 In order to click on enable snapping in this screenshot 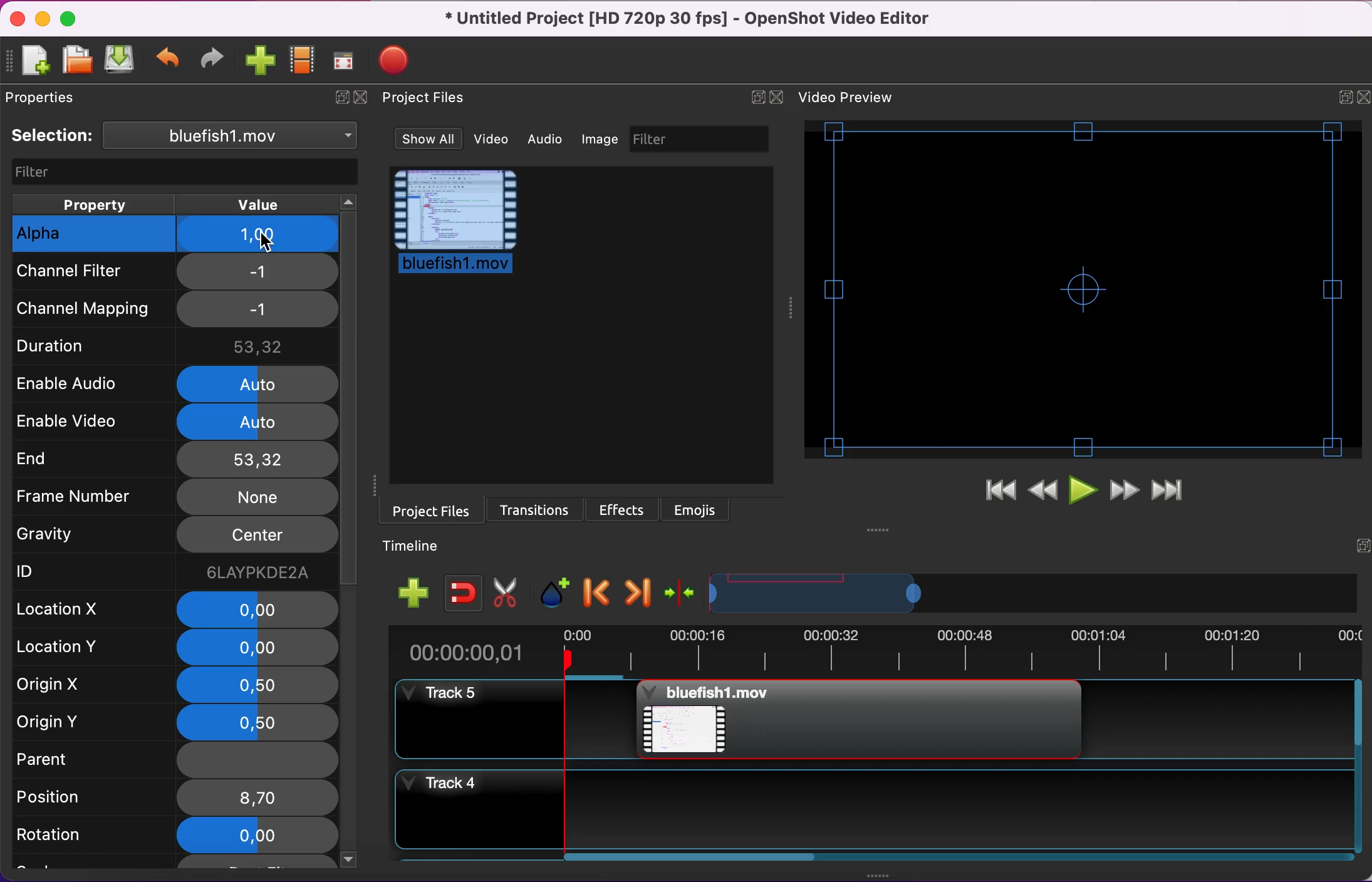, I will do `click(467, 592)`.